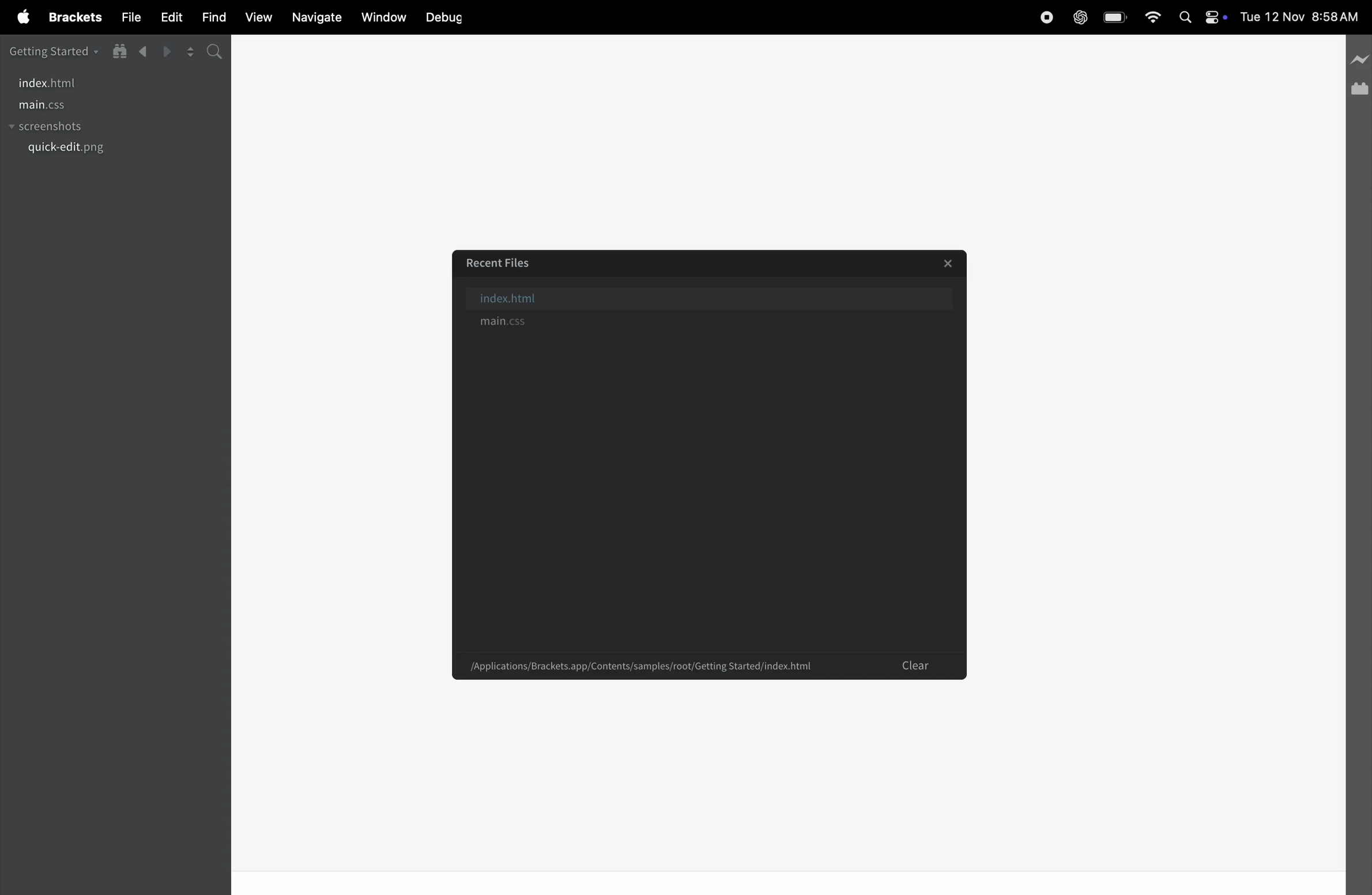 Image resolution: width=1372 pixels, height=895 pixels. Describe the element at coordinates (1358, 58) in the screenshot. I see `line preview` at that location.